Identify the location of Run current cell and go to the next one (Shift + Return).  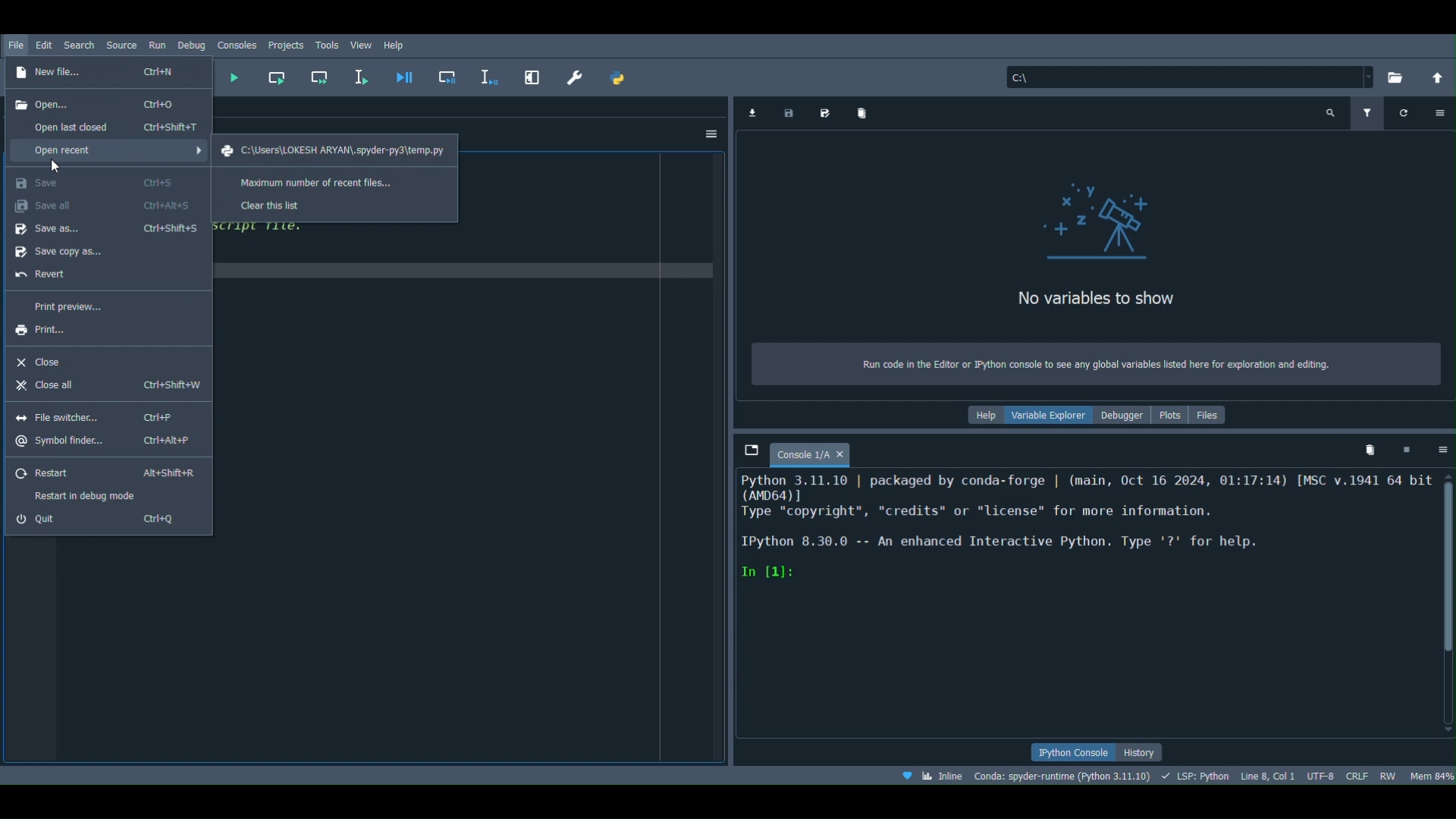
(319, 80).